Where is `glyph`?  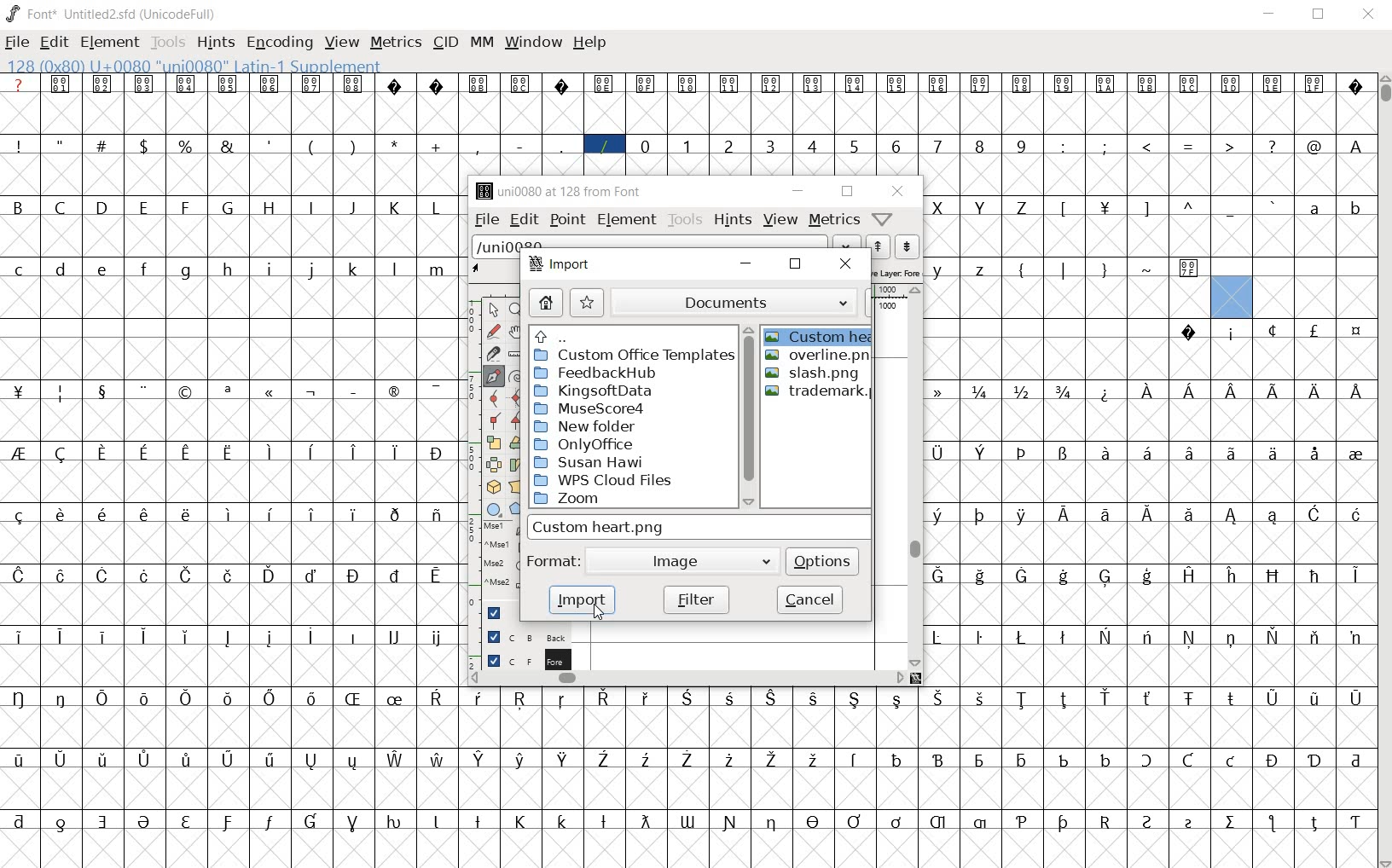
glyph is located at coordinates (1232, 392).